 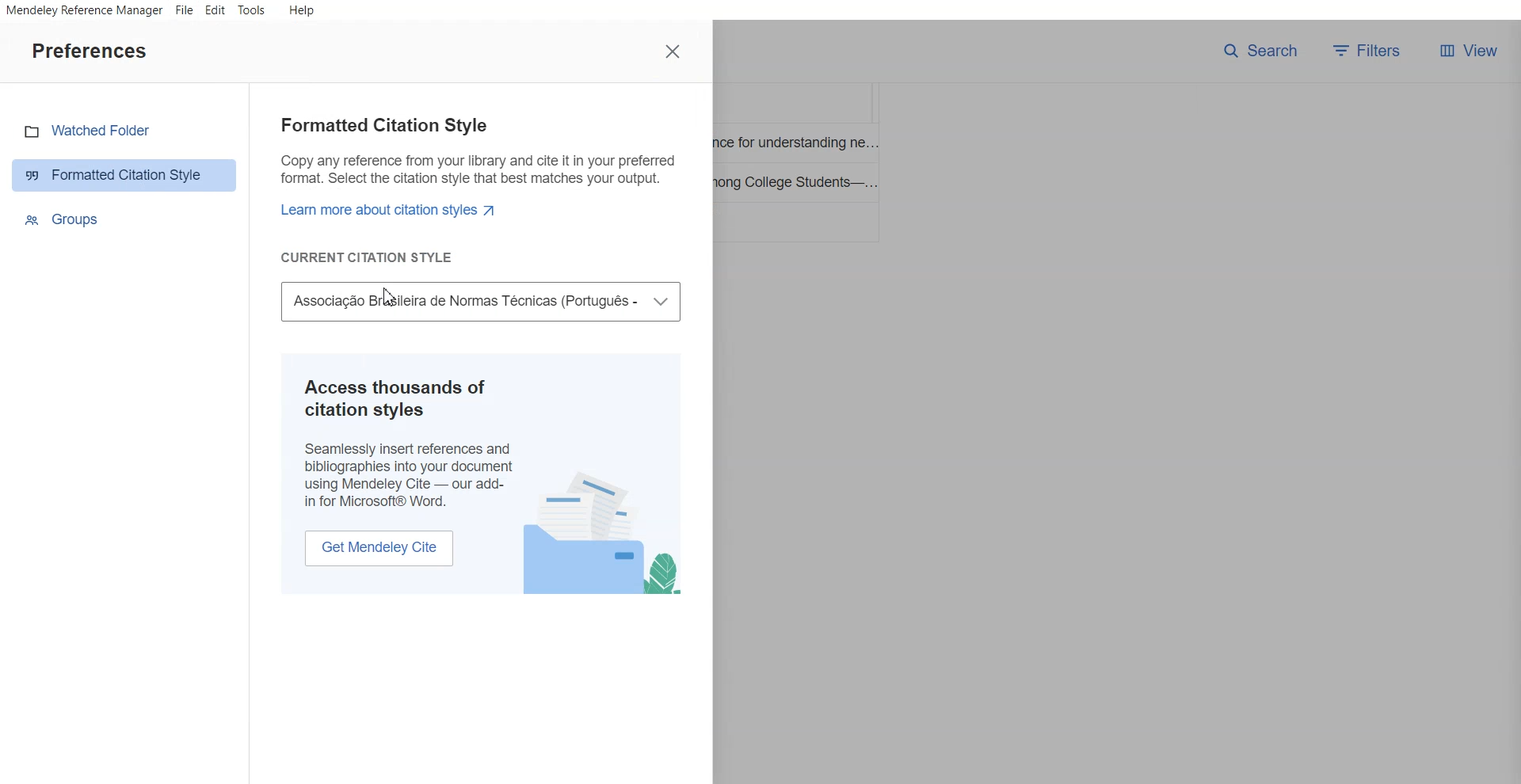 I want to click on Help, so click(x=300, y=10).